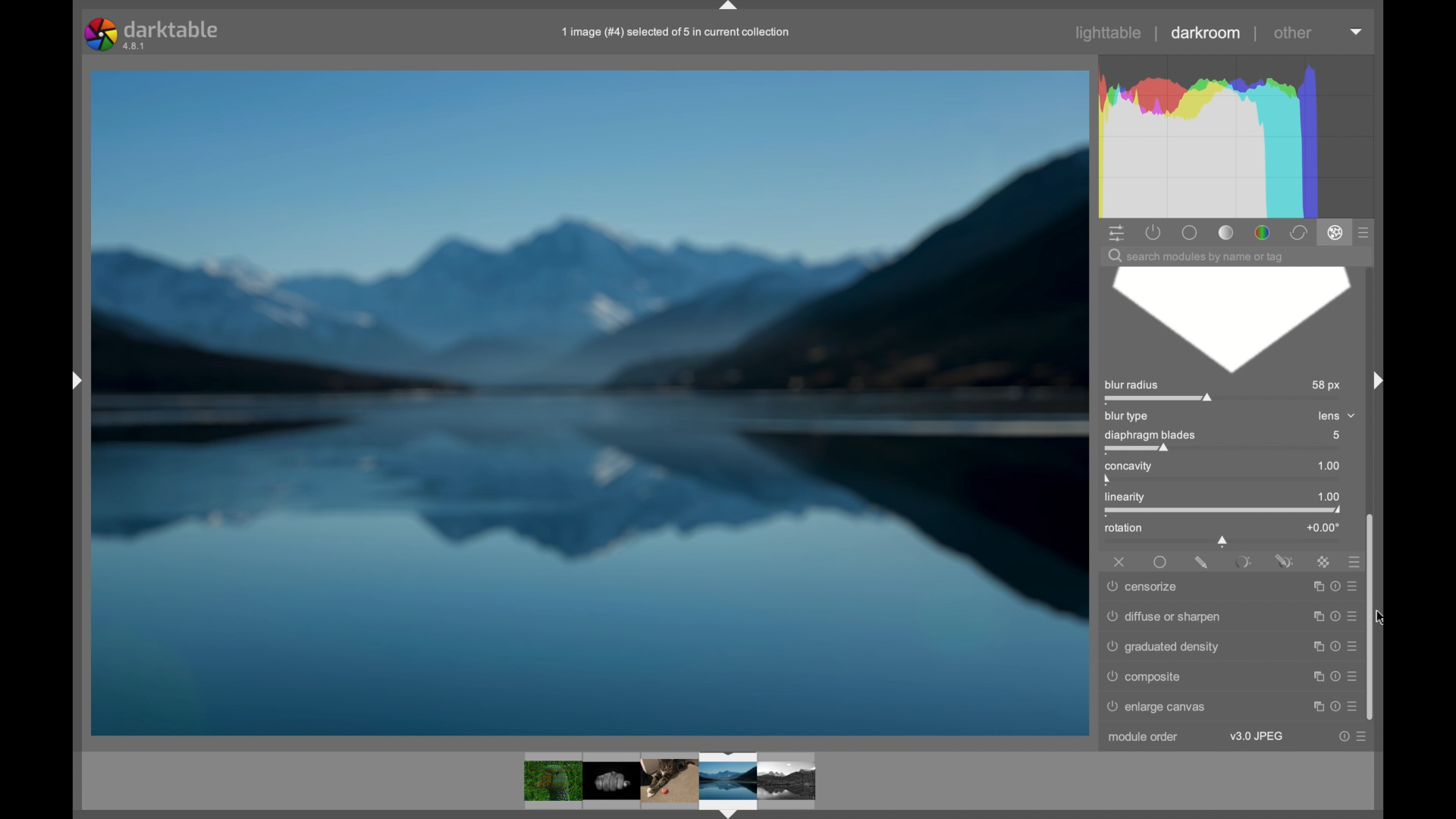 This screenshot has width=1456, height=819. Describe the element at coordinates (1161, 563) in the screenshot. I see `uniformly` at that location.